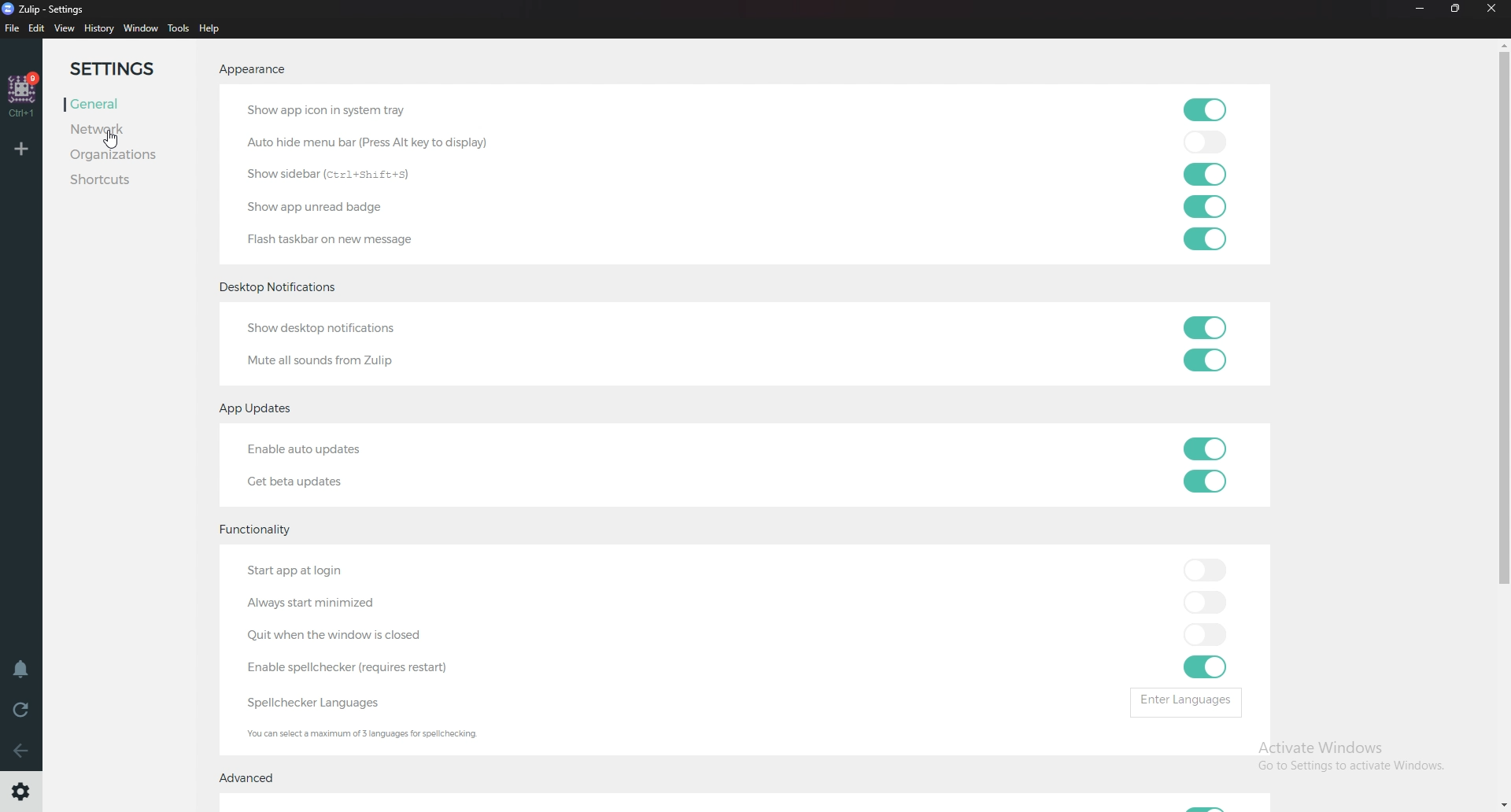 The width and height of the screenshot is (1511, 812). I want to click on add organization, so click(20, 151).